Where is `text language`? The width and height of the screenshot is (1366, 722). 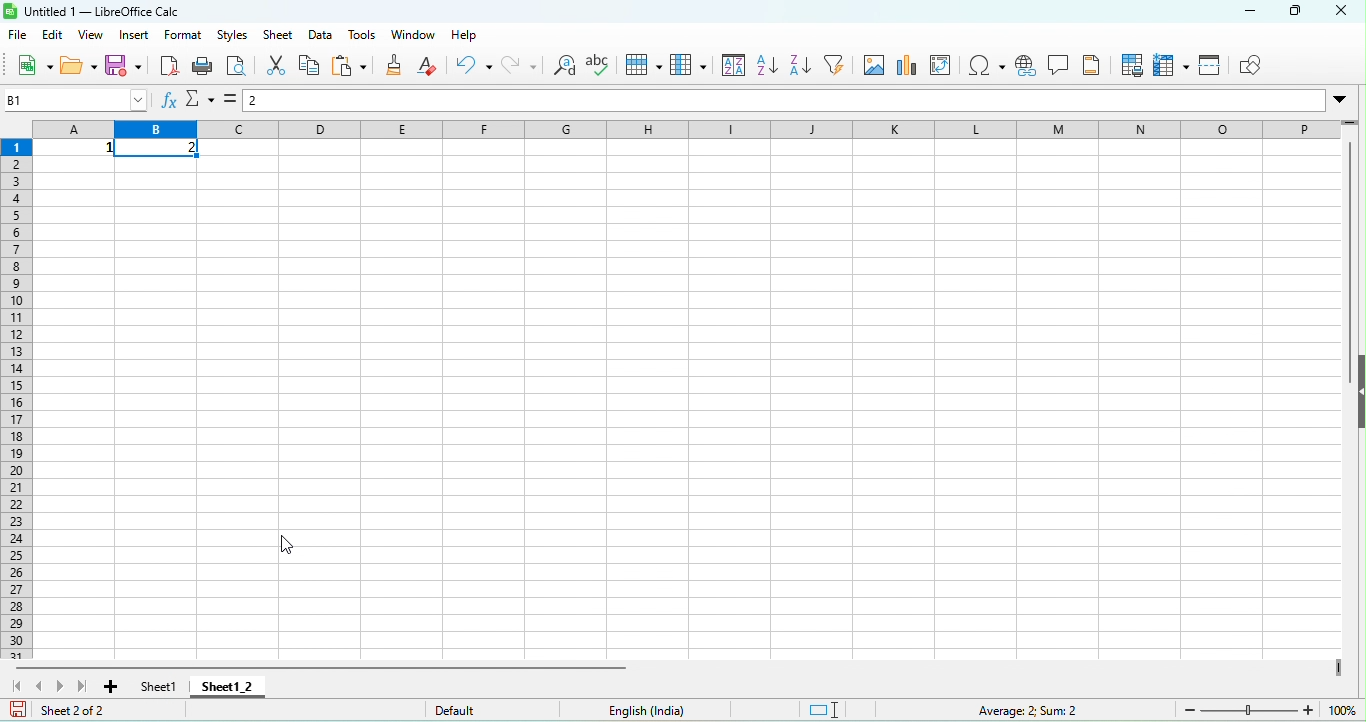 text language is located at coordinates (694, 711).